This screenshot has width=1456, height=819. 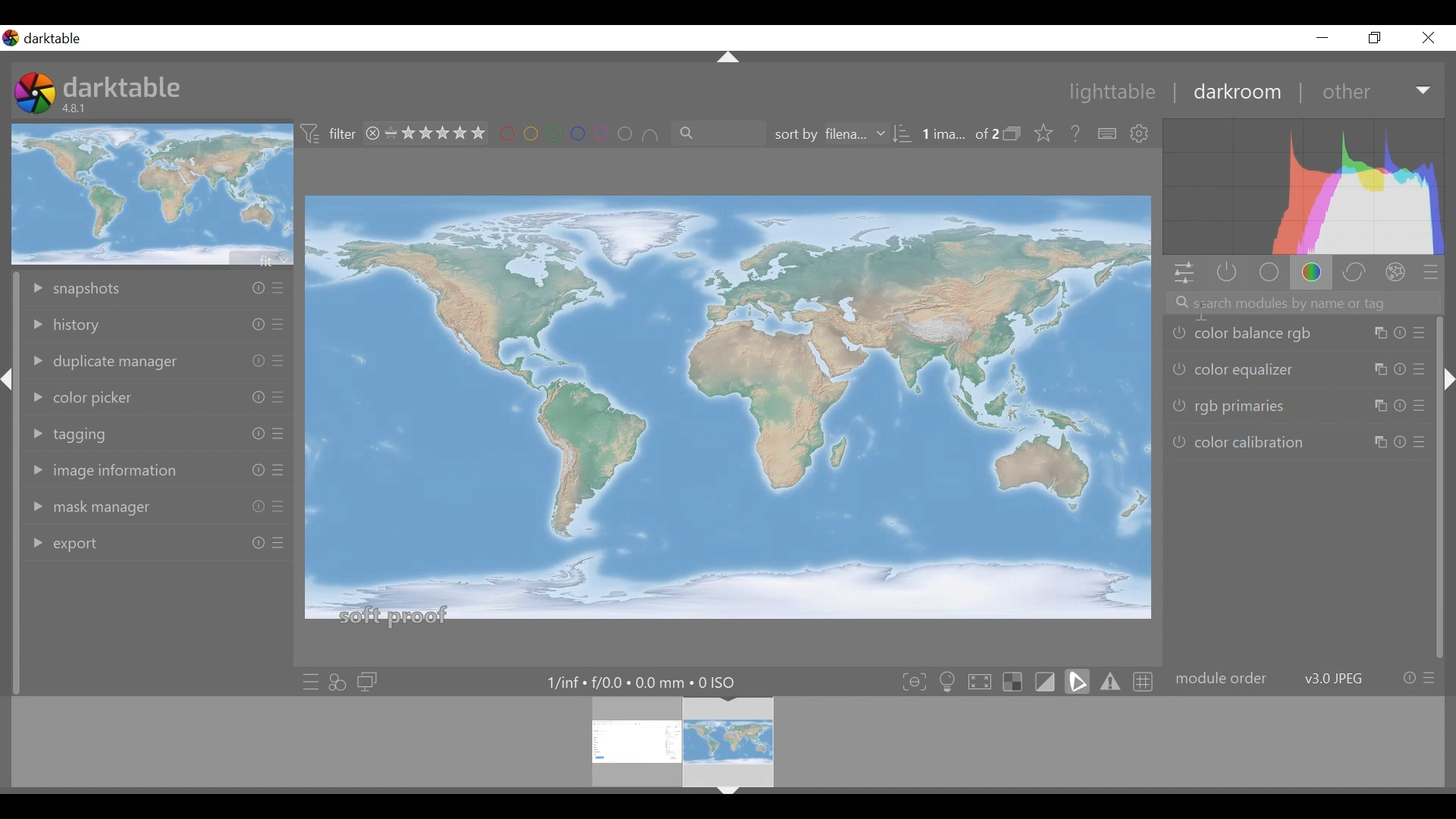 What do you see at coordinates (1235, 441) in the screenshot?
I see `color calibrations` at bounding box center [1235, 441].